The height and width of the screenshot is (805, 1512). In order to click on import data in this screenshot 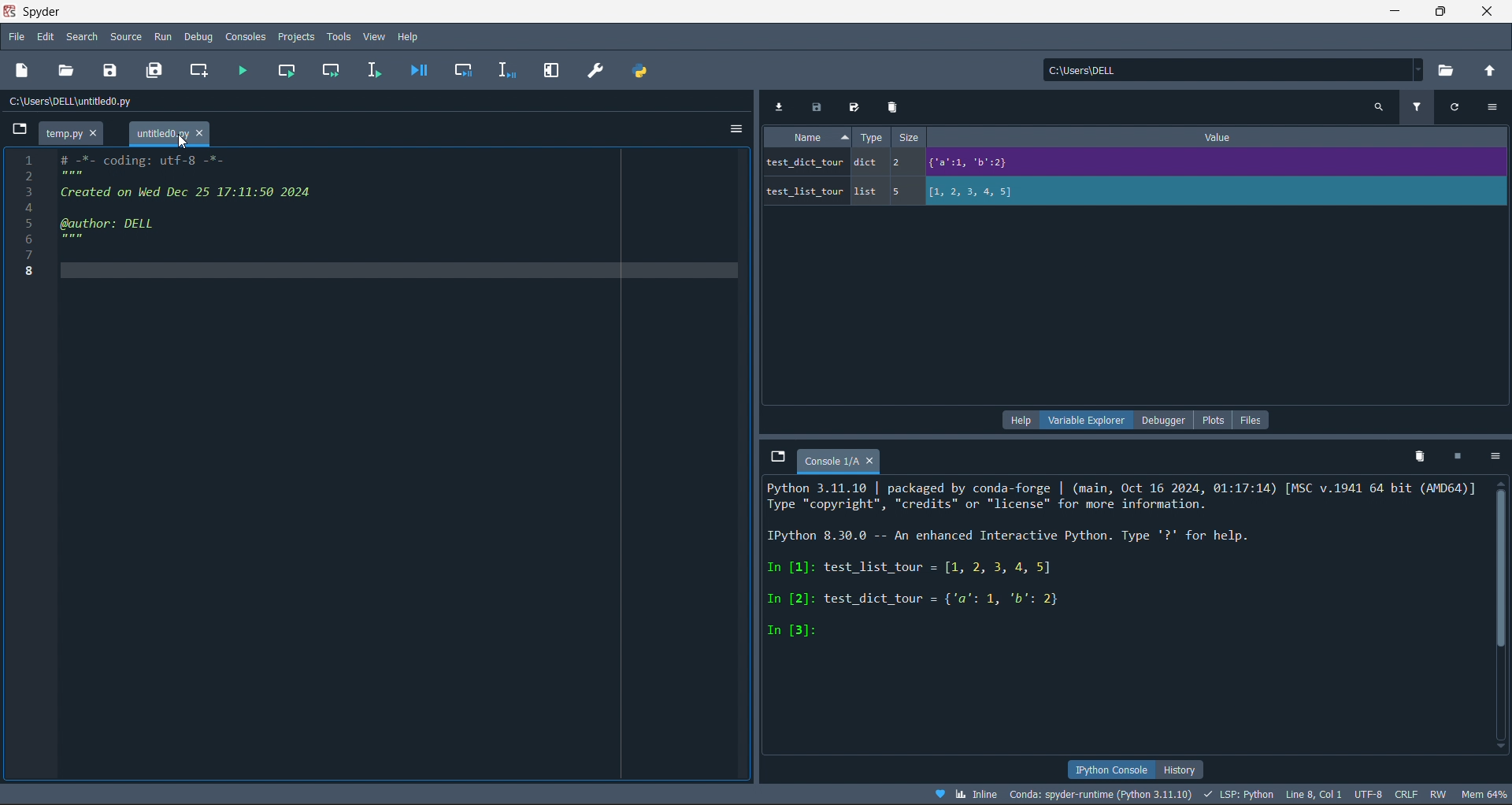, I will do `click(778, 103)`.